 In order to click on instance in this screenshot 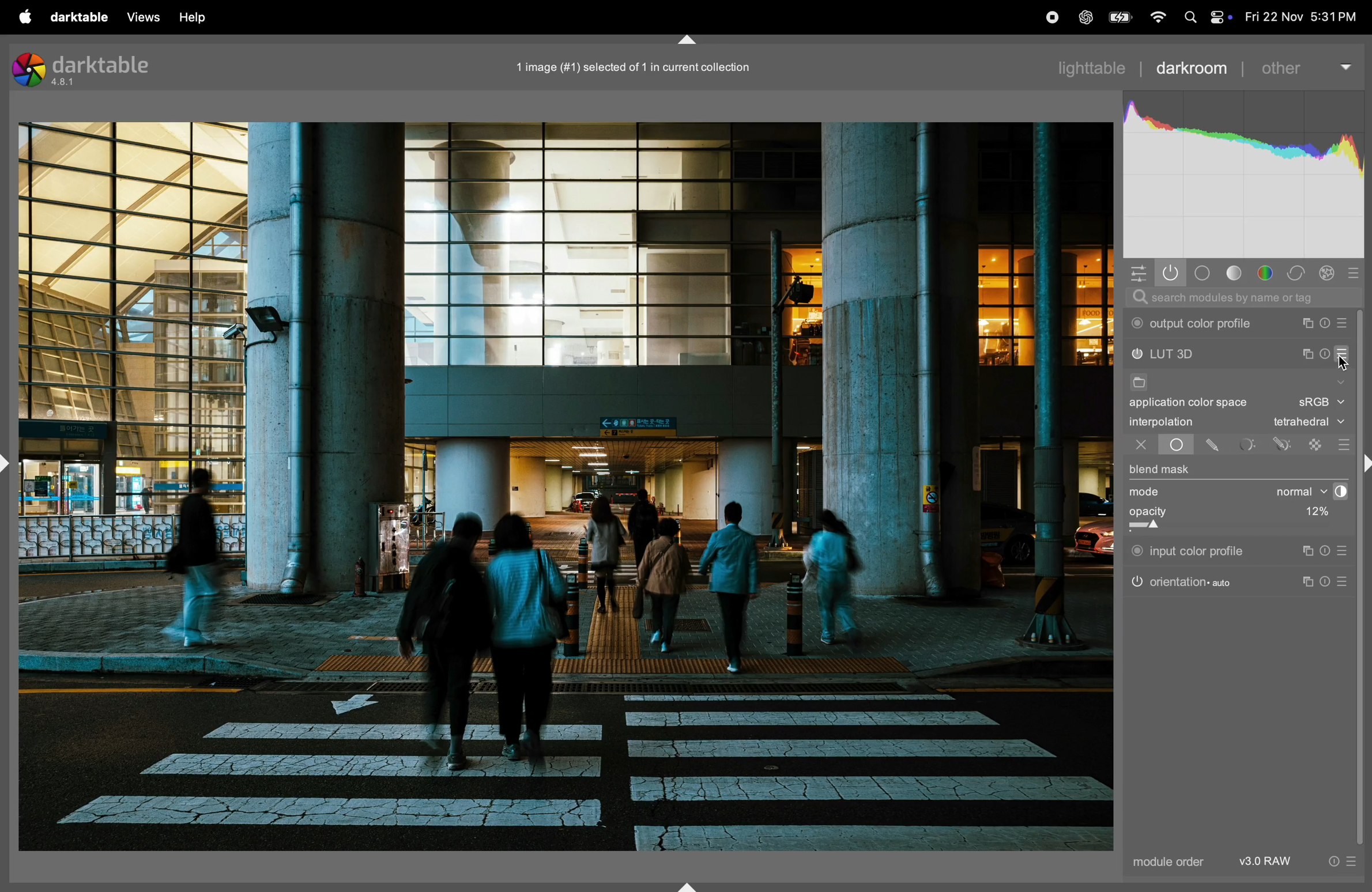, I will do `click(1306, 551)`.